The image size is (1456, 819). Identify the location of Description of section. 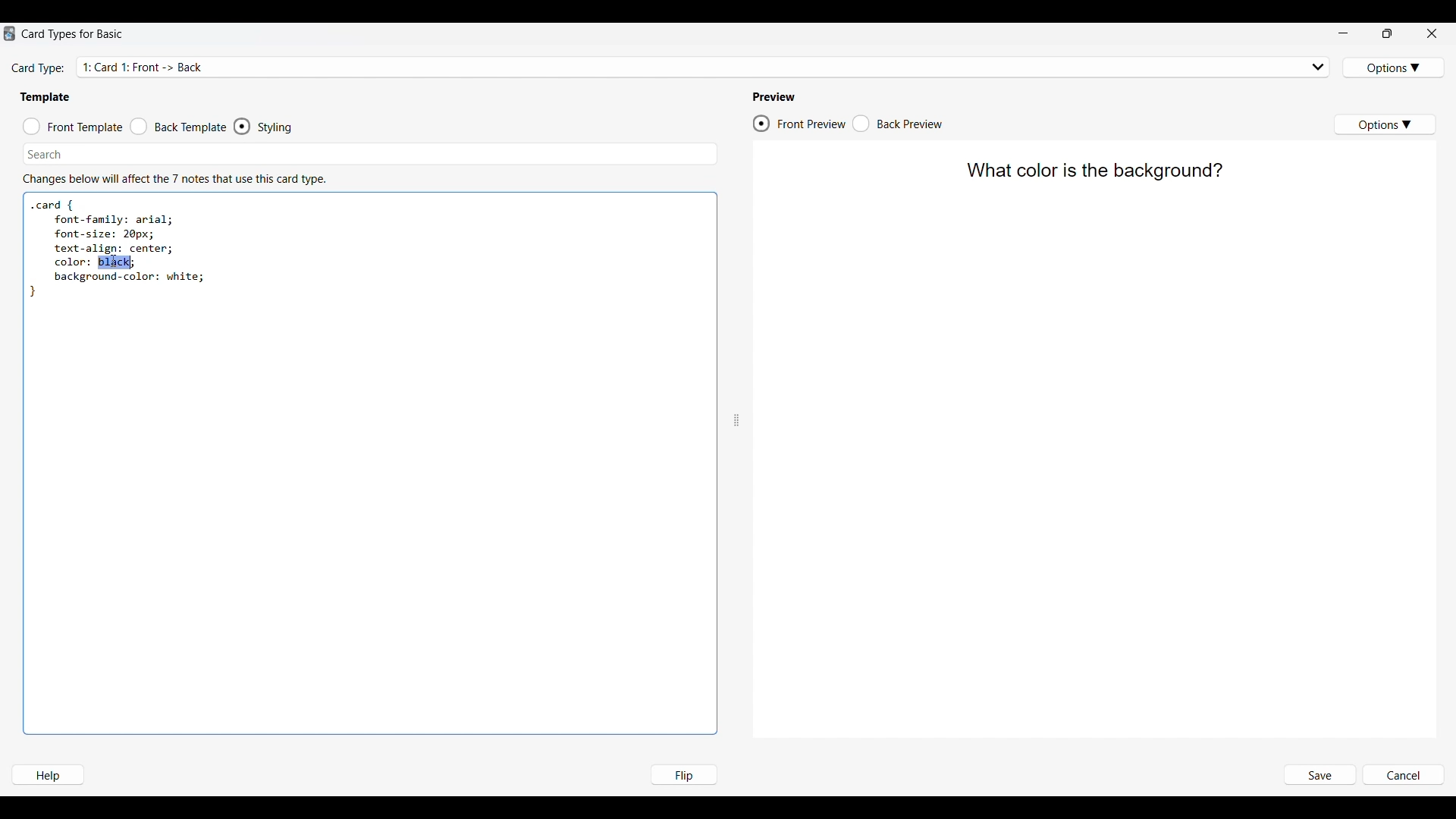
(174, 179).